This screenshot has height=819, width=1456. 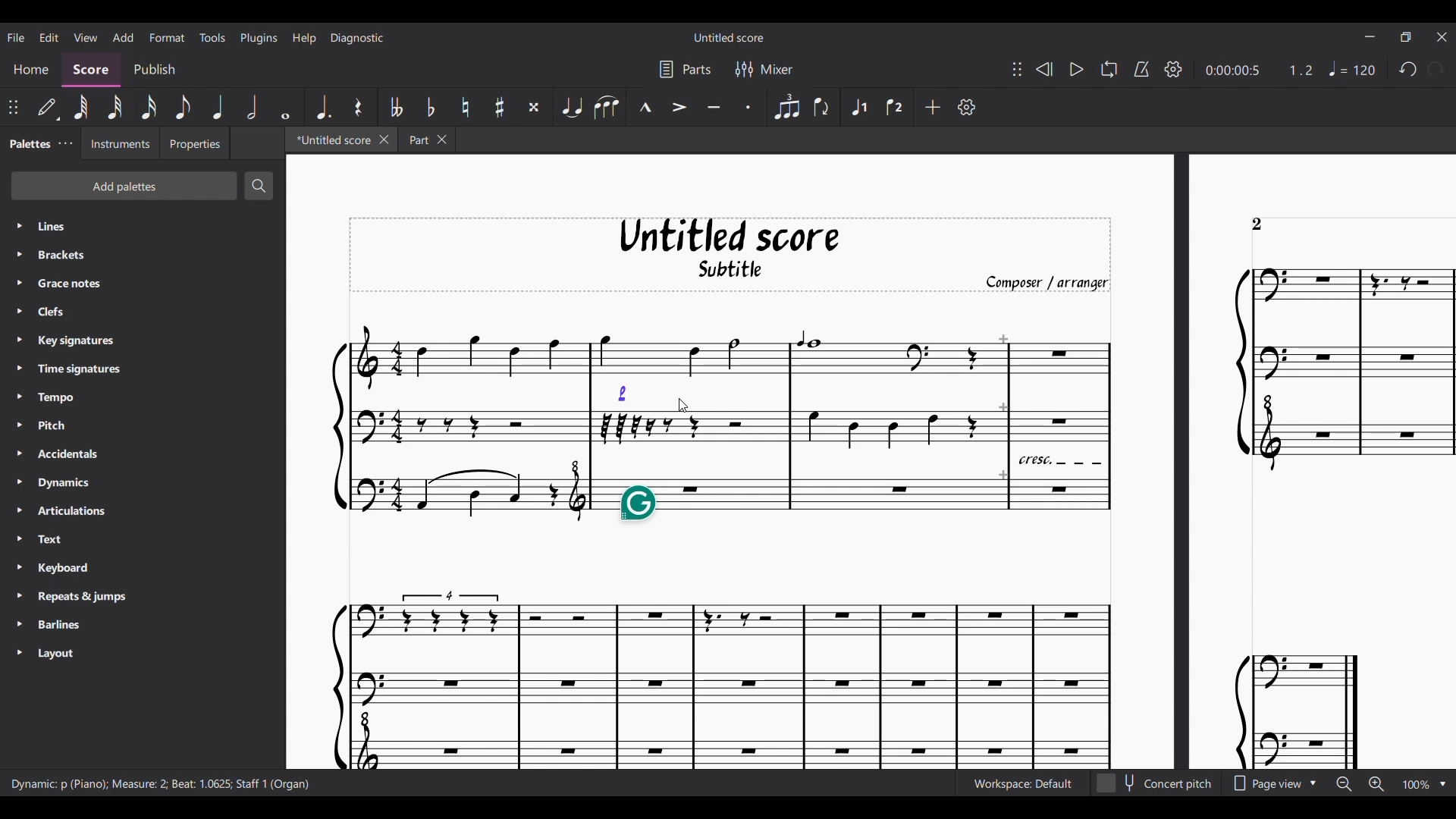 I want to click on Add, so click(x=932, y=107).